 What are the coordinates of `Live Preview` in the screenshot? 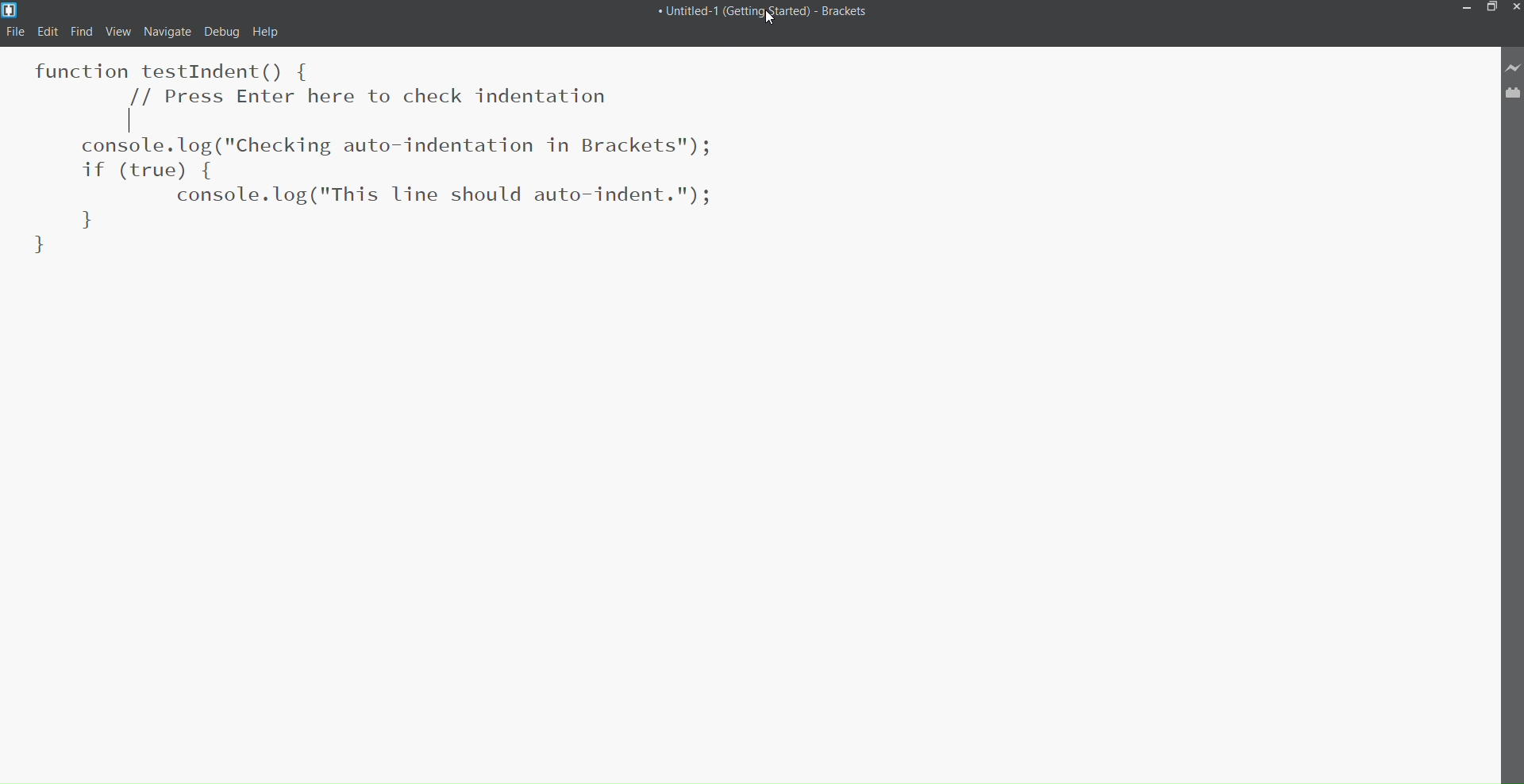 It's located at (1513, 67).